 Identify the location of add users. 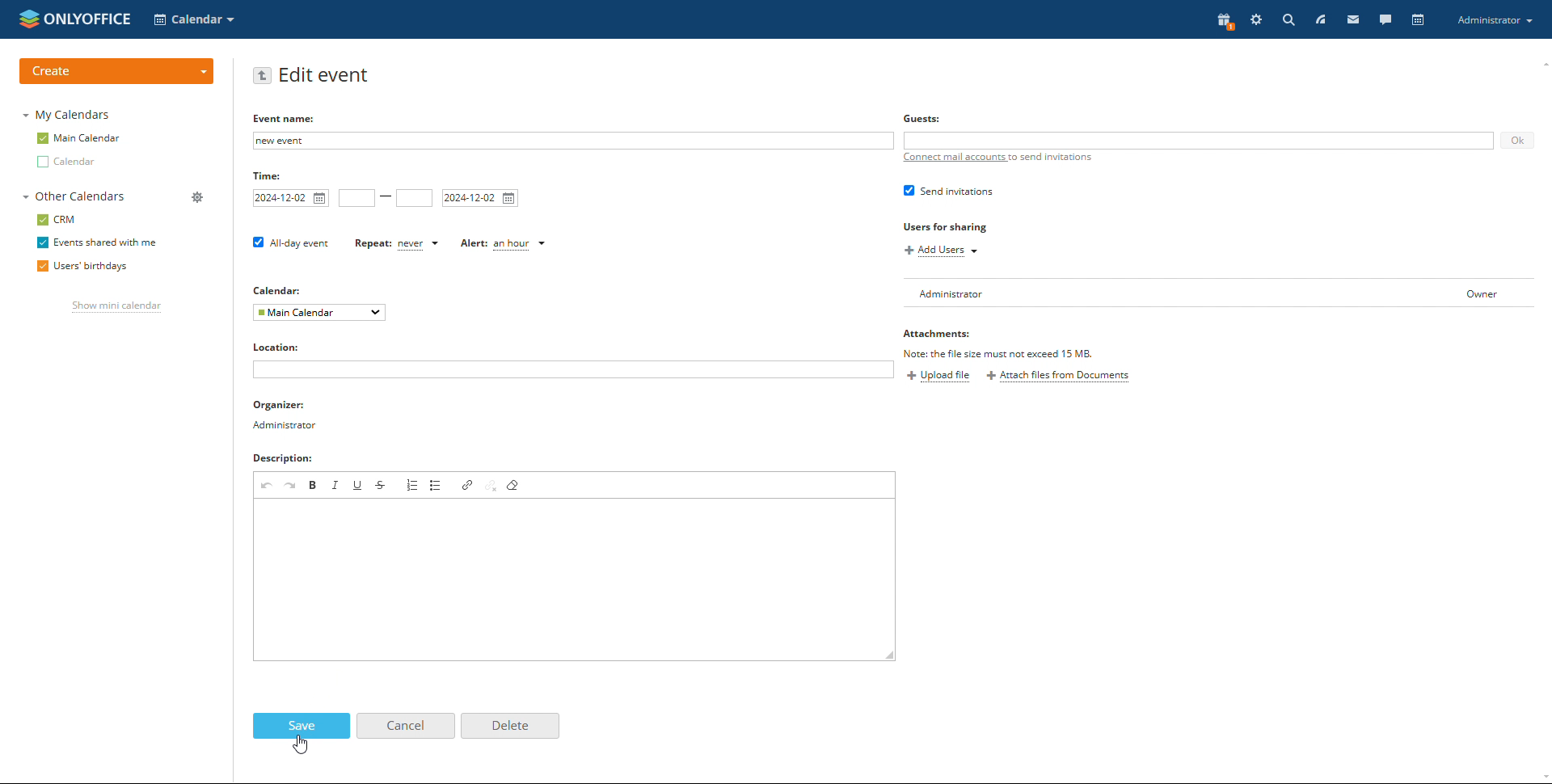
(943, 252).